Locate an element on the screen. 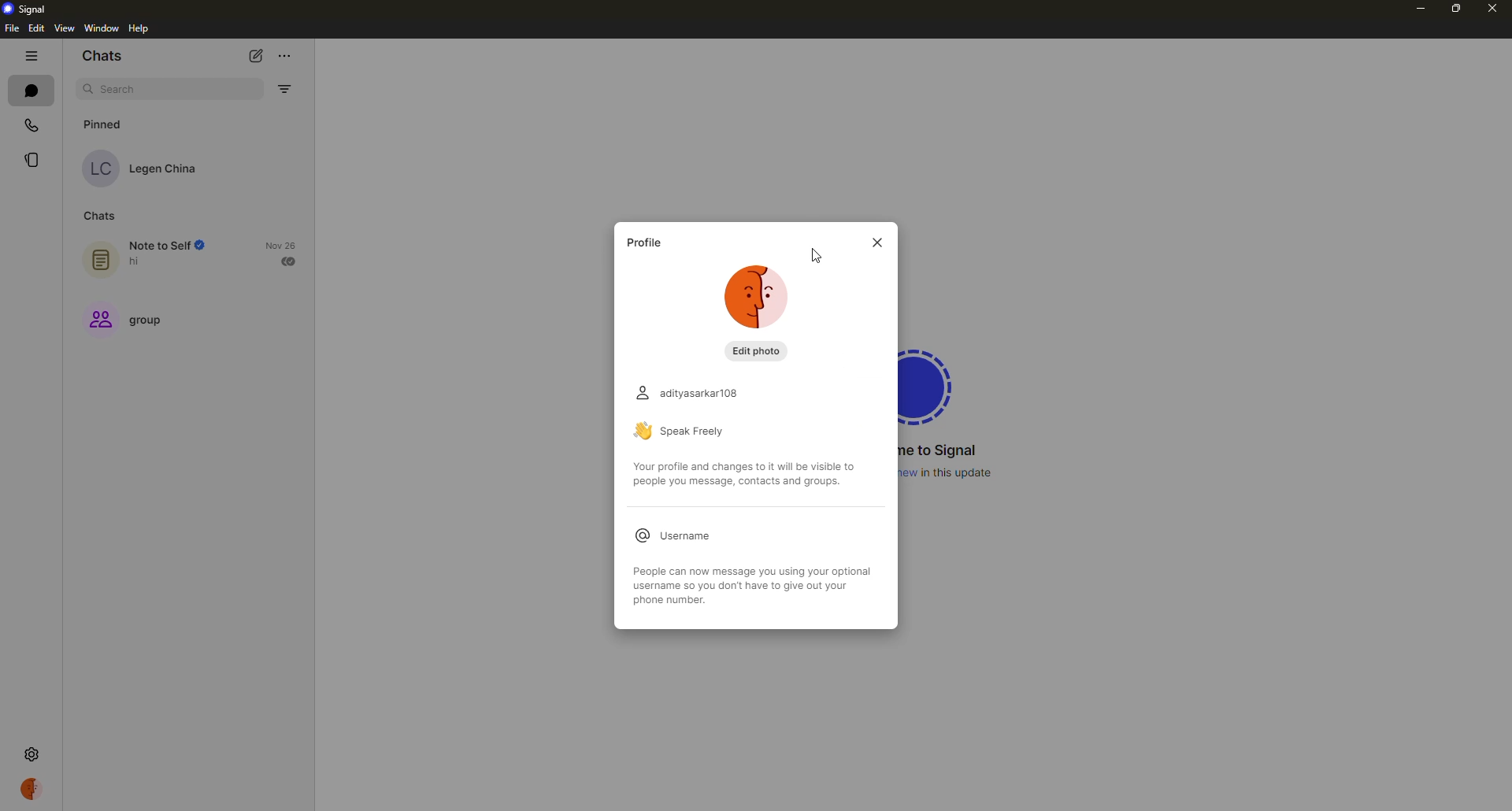 The height and width of the screenshot is (811, 1512). cursor is located at coordinates (818, 257).